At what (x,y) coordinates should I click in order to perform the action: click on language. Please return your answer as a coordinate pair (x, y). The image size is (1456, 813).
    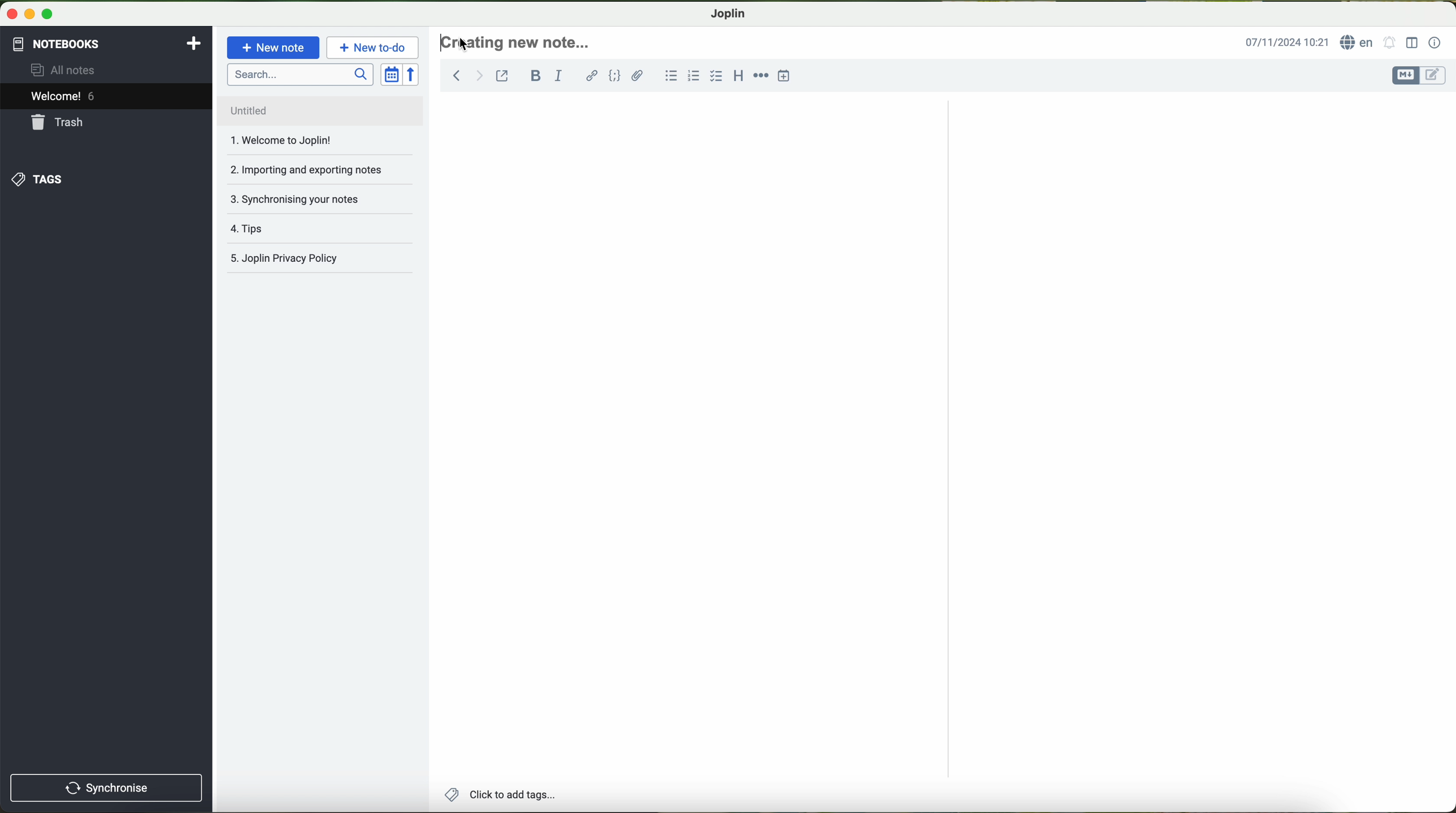
    Looking at the image, I should click on (1358, 42).